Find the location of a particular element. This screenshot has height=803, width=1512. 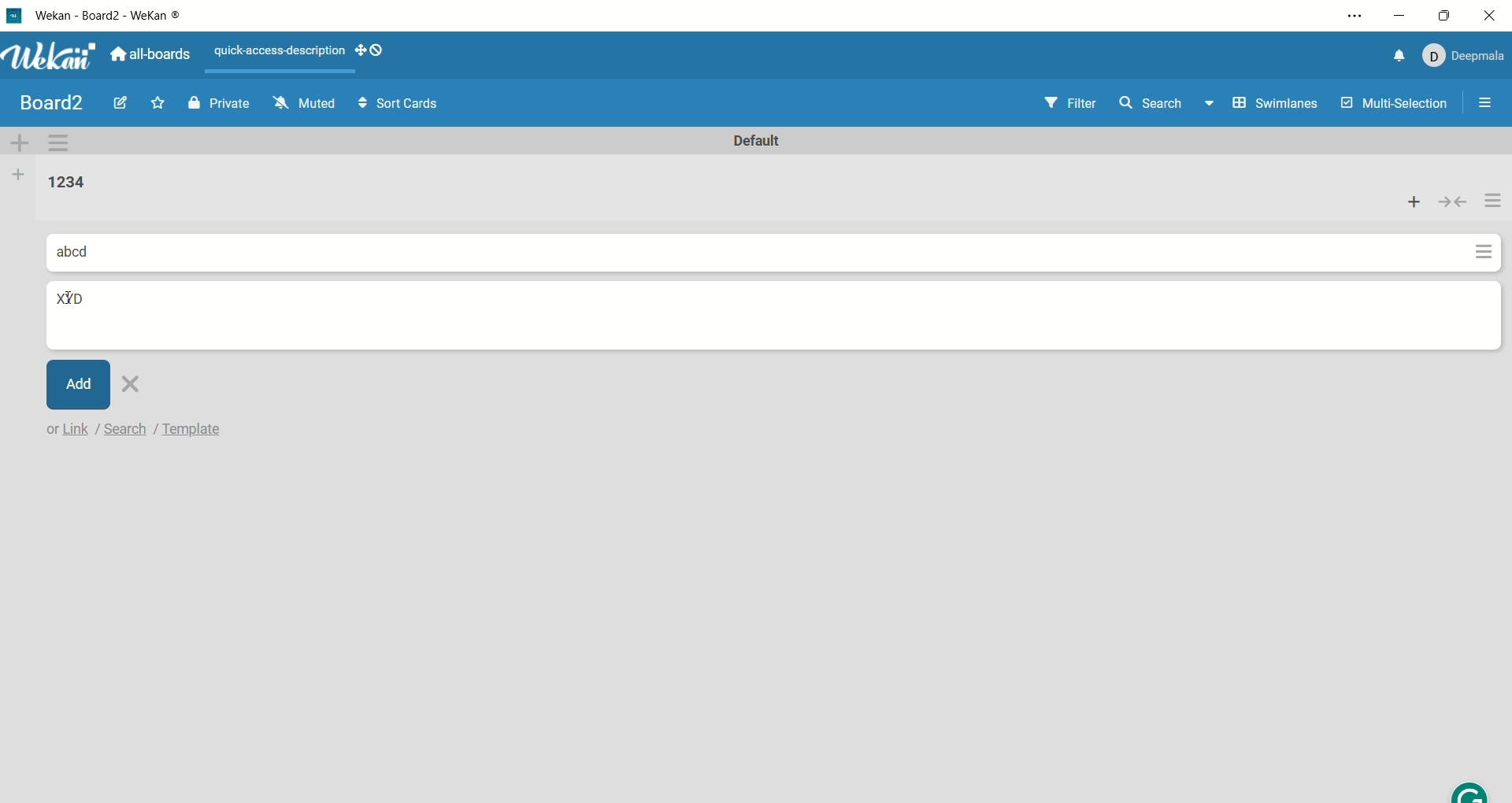

close is located at coordinates (145, 387).